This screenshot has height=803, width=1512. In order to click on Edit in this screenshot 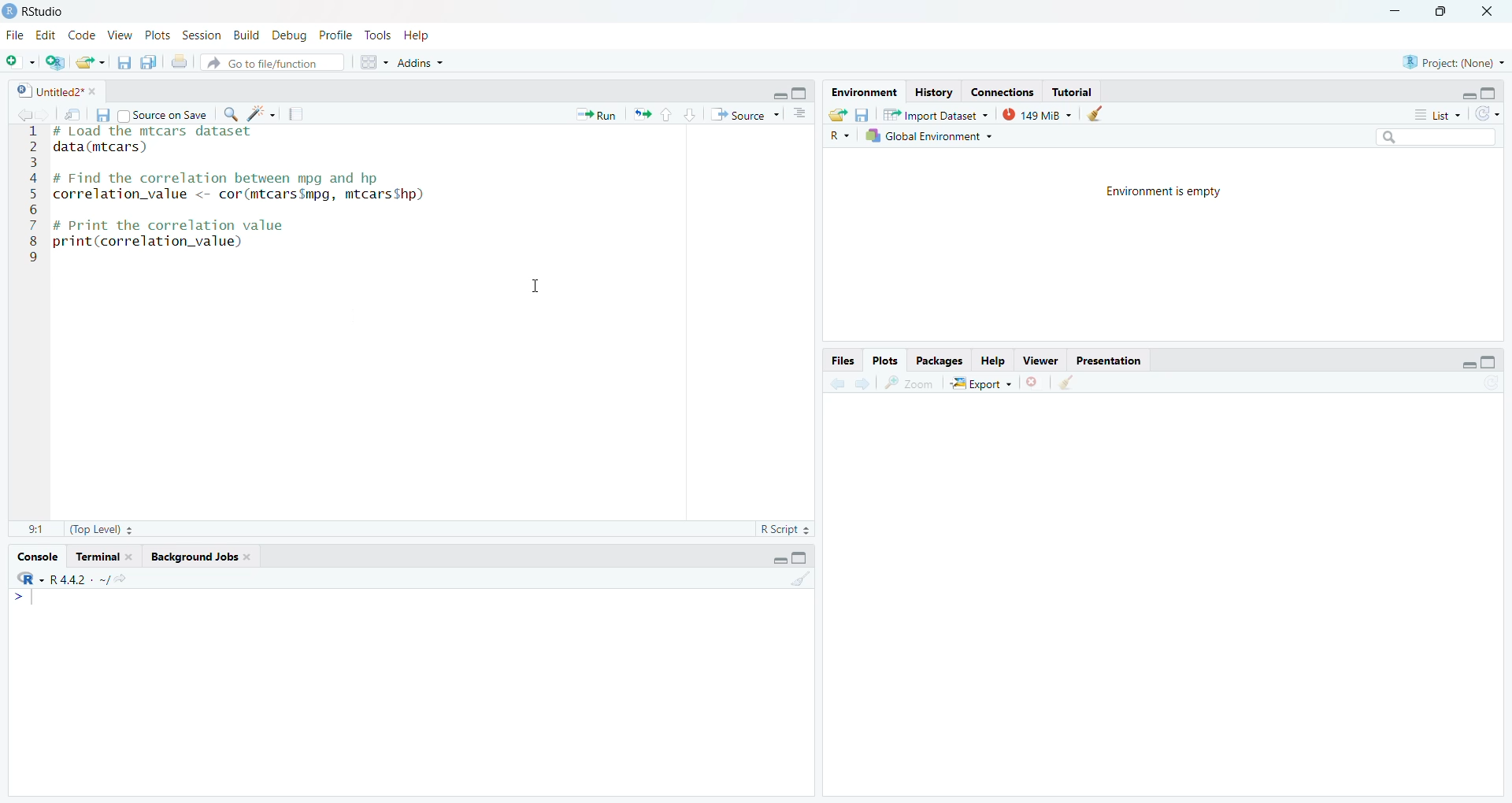, I will do `click(43, 37)`.